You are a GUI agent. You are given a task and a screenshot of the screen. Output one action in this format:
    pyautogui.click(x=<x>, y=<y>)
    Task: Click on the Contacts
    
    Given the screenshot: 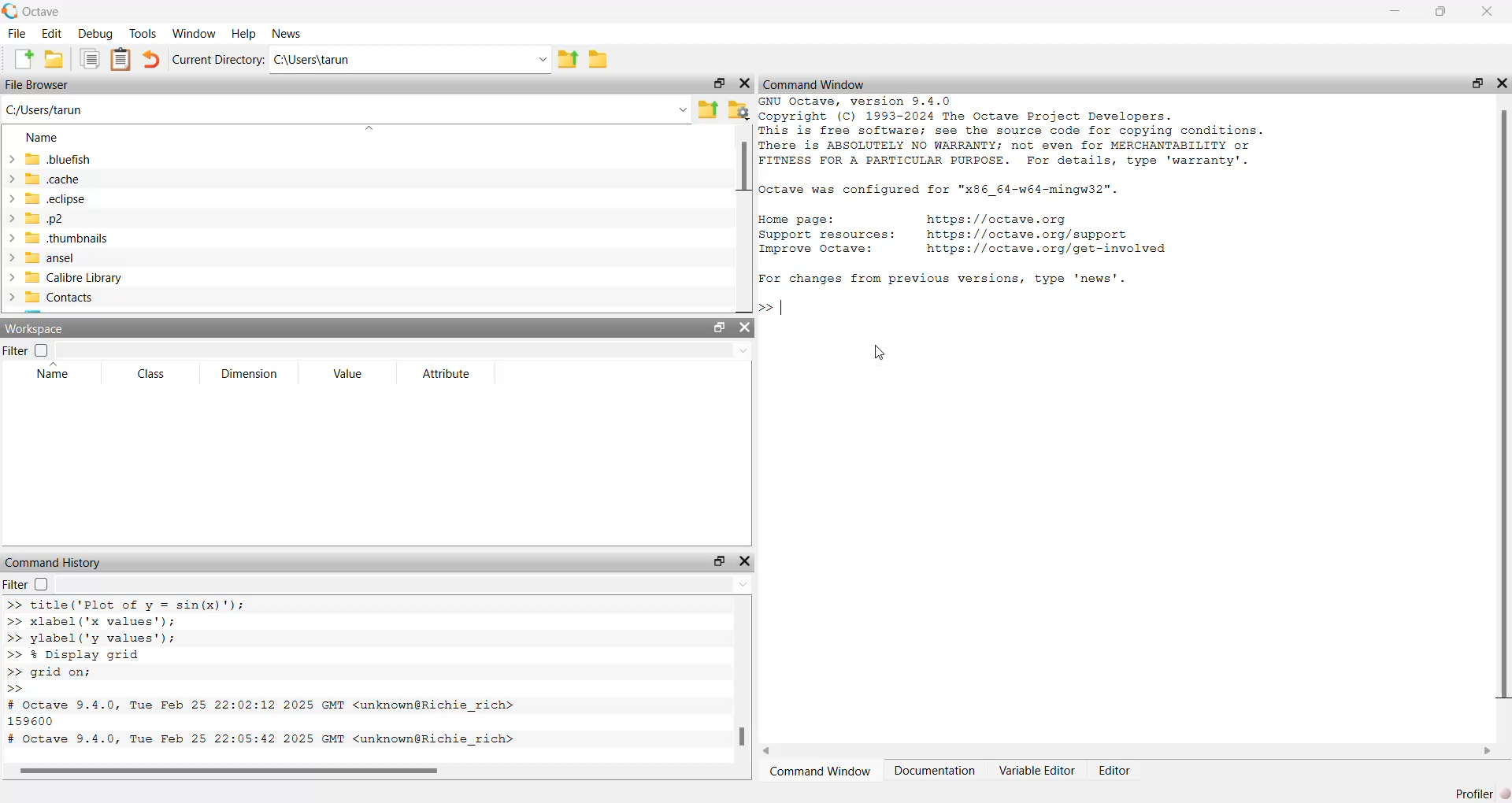 What is the action you would take?
    pyautogui.click(x=56, y=298)
    